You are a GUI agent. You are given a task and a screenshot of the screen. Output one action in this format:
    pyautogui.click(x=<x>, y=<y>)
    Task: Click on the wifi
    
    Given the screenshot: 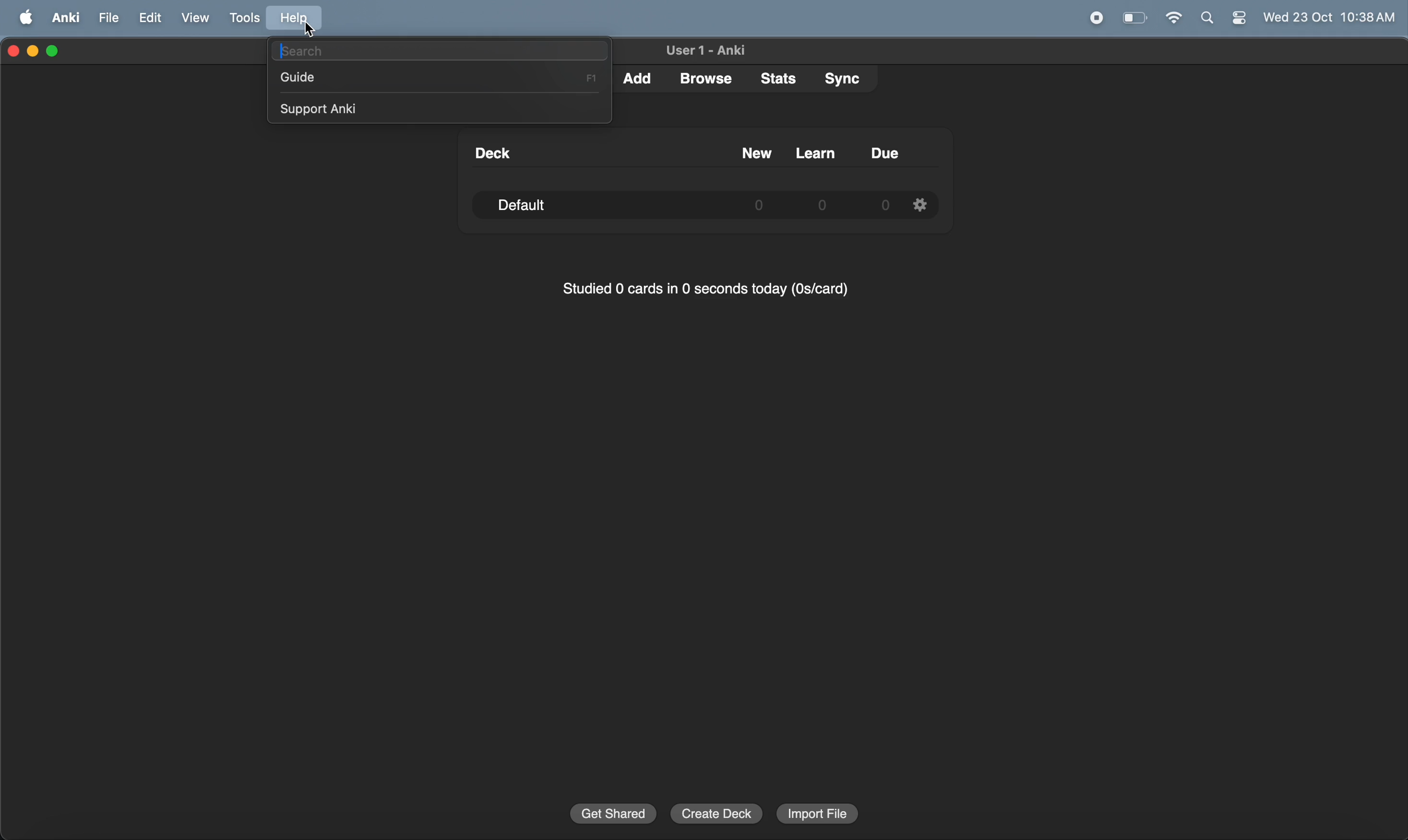 What is the action you would take?
    pyautogui.click(x=1170, y=19)
    